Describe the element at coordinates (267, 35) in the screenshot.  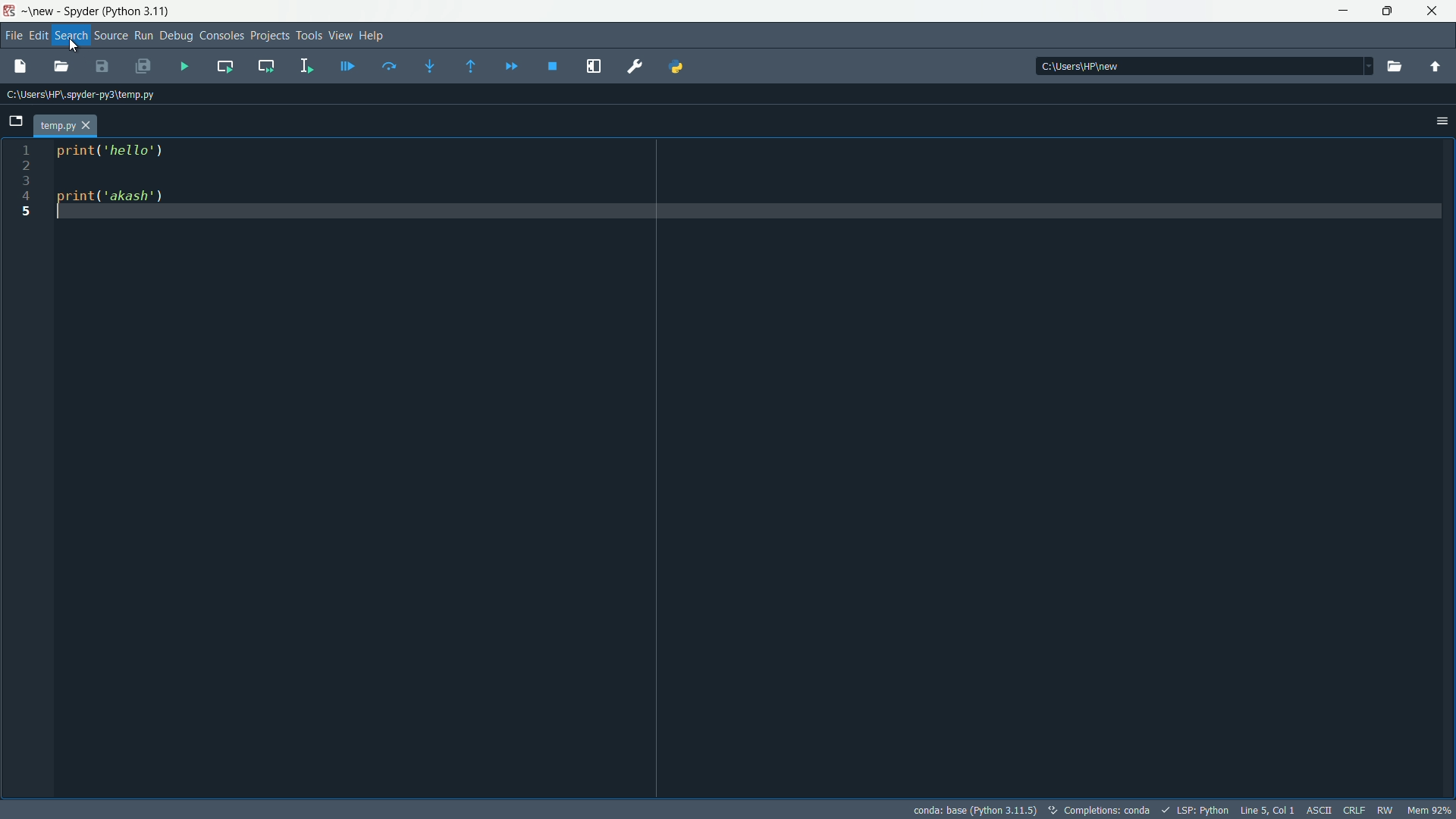
I see `Project Menu` at that location.